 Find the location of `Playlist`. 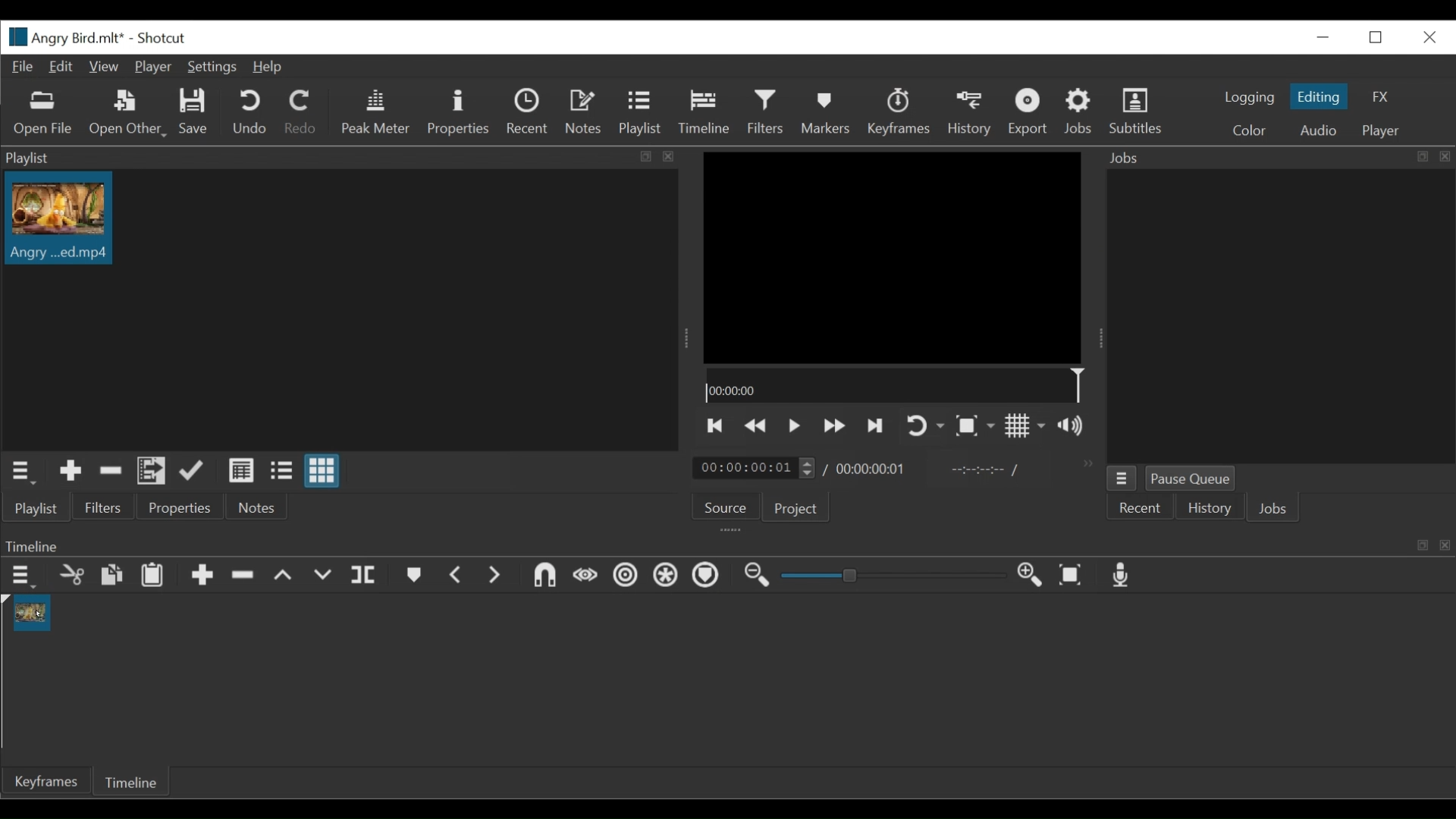

Playlist is located at coordinates (639, 114).